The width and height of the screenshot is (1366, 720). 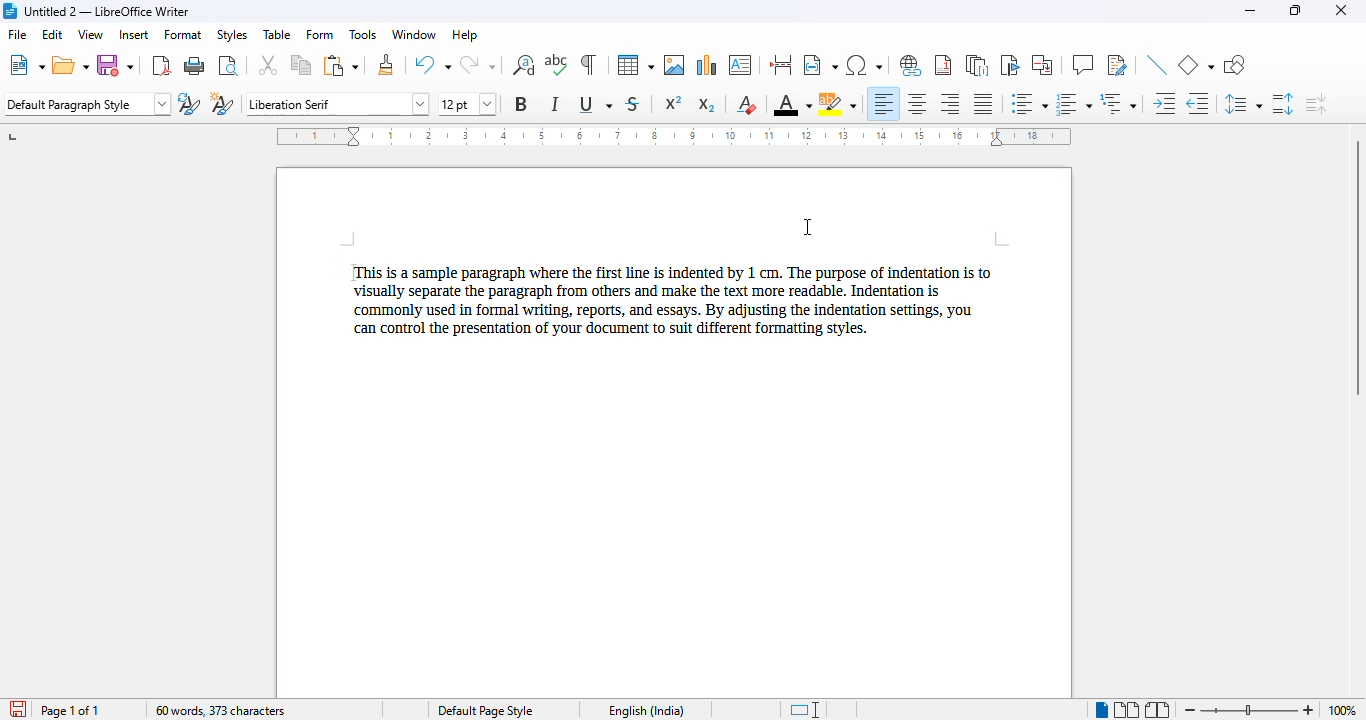 What do you see at coordinates (1009, 65) in the screenshot?
I see `insert bookmark` at bounding box center [1009, 65].